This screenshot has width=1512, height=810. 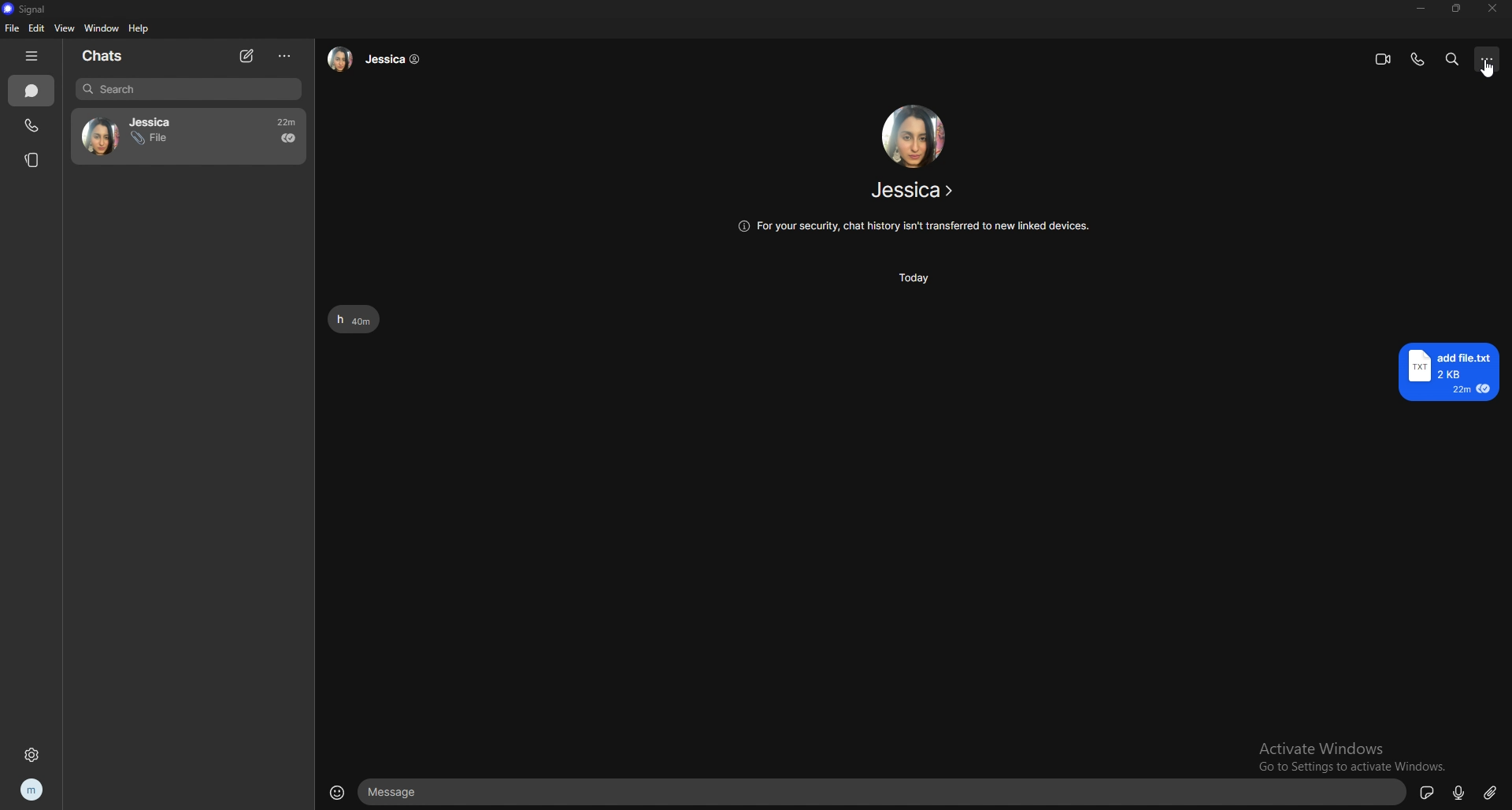 What do you see at coordinates (139, 28) in the screenshot?
I see `help` at bounding box center [139, 28].